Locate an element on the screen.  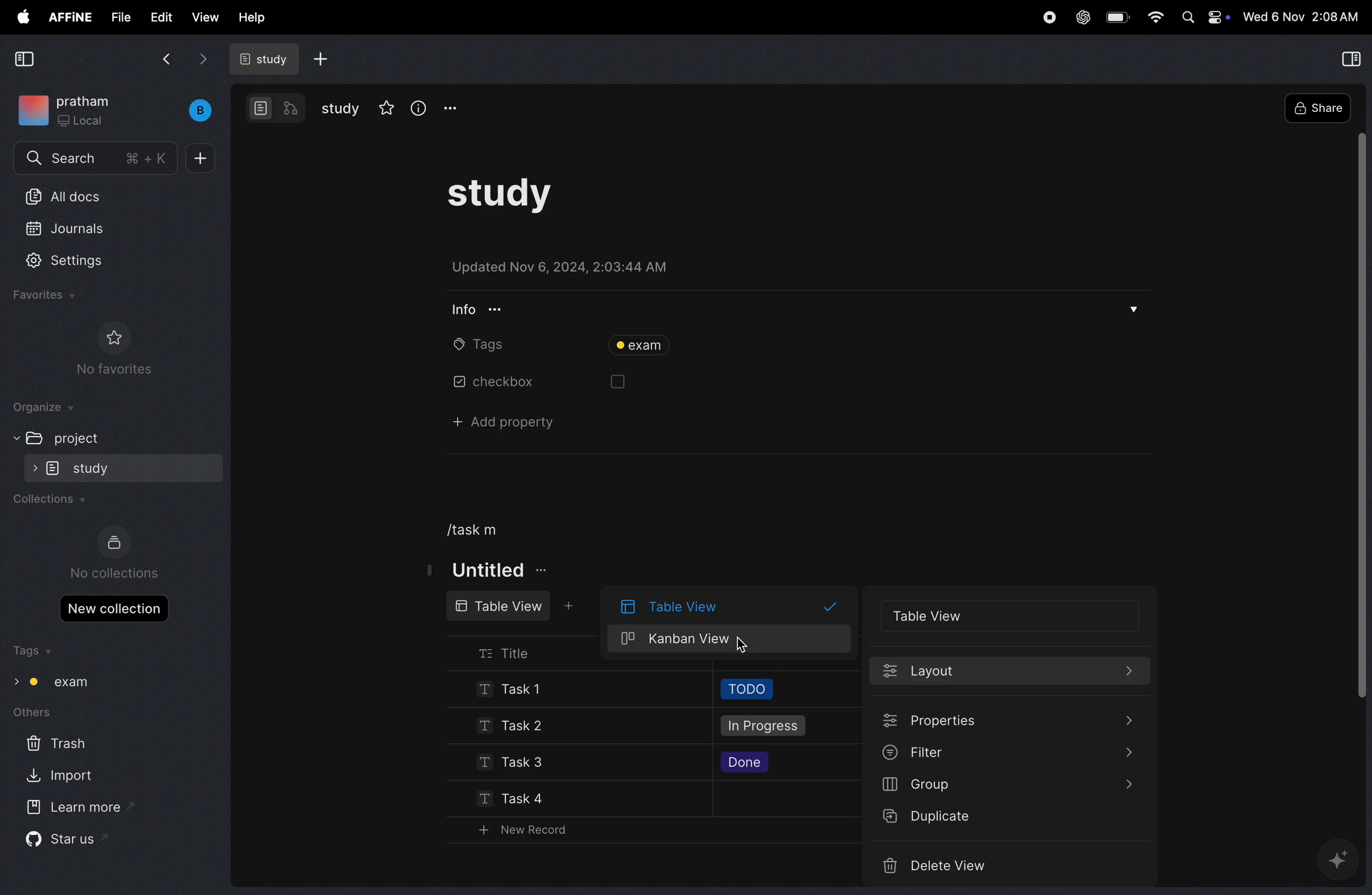
no favourites is located at coordinates (116, 348).